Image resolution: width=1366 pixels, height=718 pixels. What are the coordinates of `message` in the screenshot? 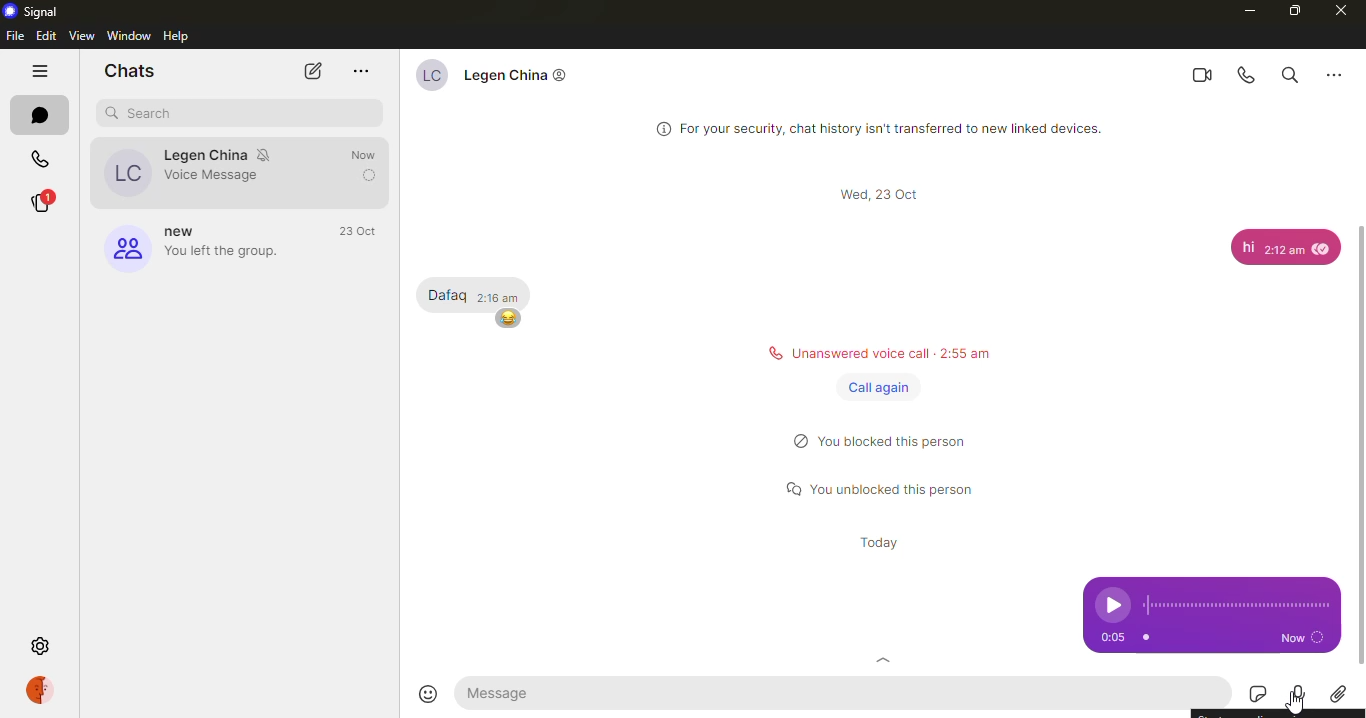 It's located at (472, 288).